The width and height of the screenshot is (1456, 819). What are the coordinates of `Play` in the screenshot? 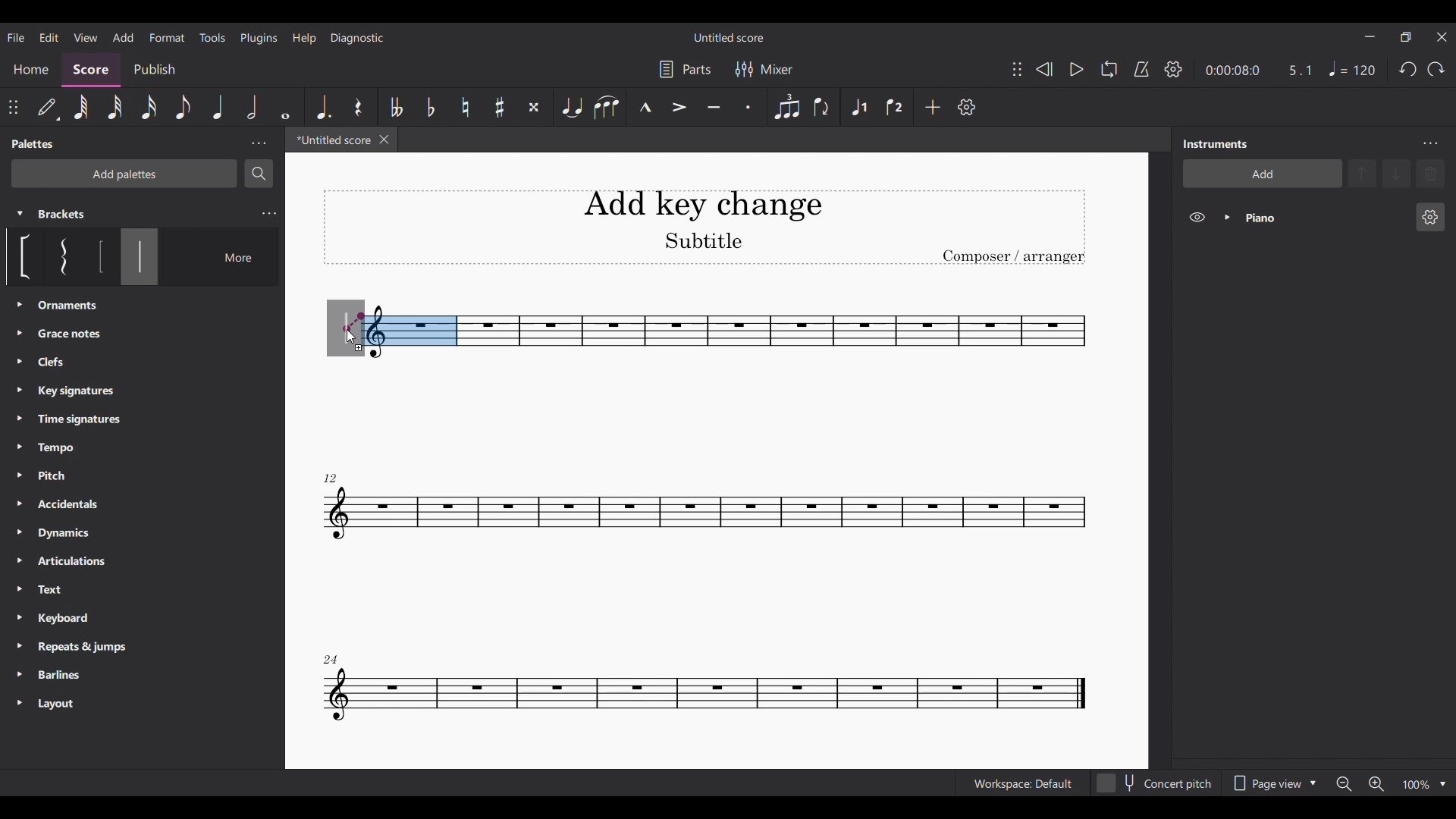 It's located at (1077, 69).